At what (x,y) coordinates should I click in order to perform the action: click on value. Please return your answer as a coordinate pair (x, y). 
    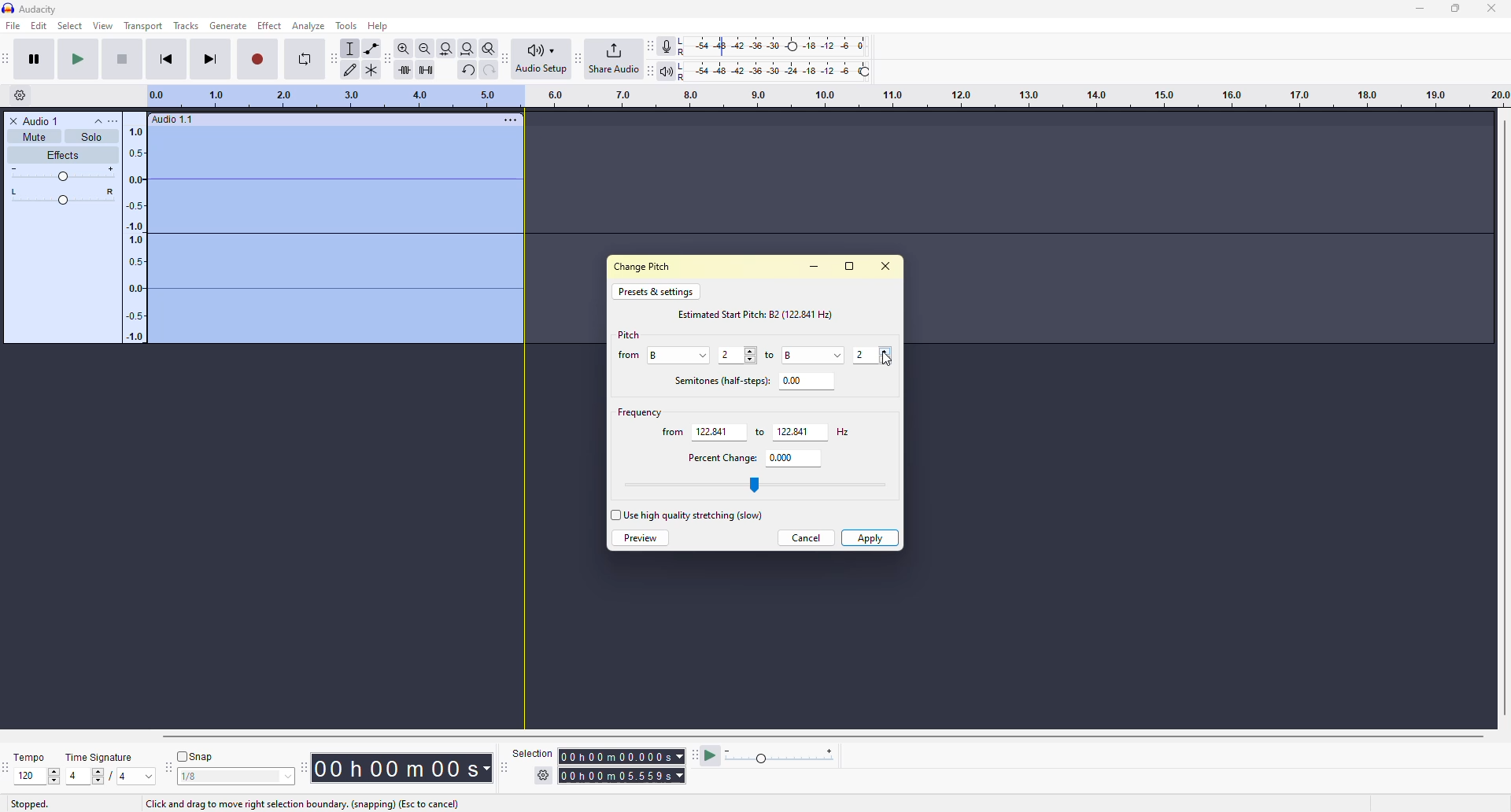
    Looking at the image, I should click on (792, 430).